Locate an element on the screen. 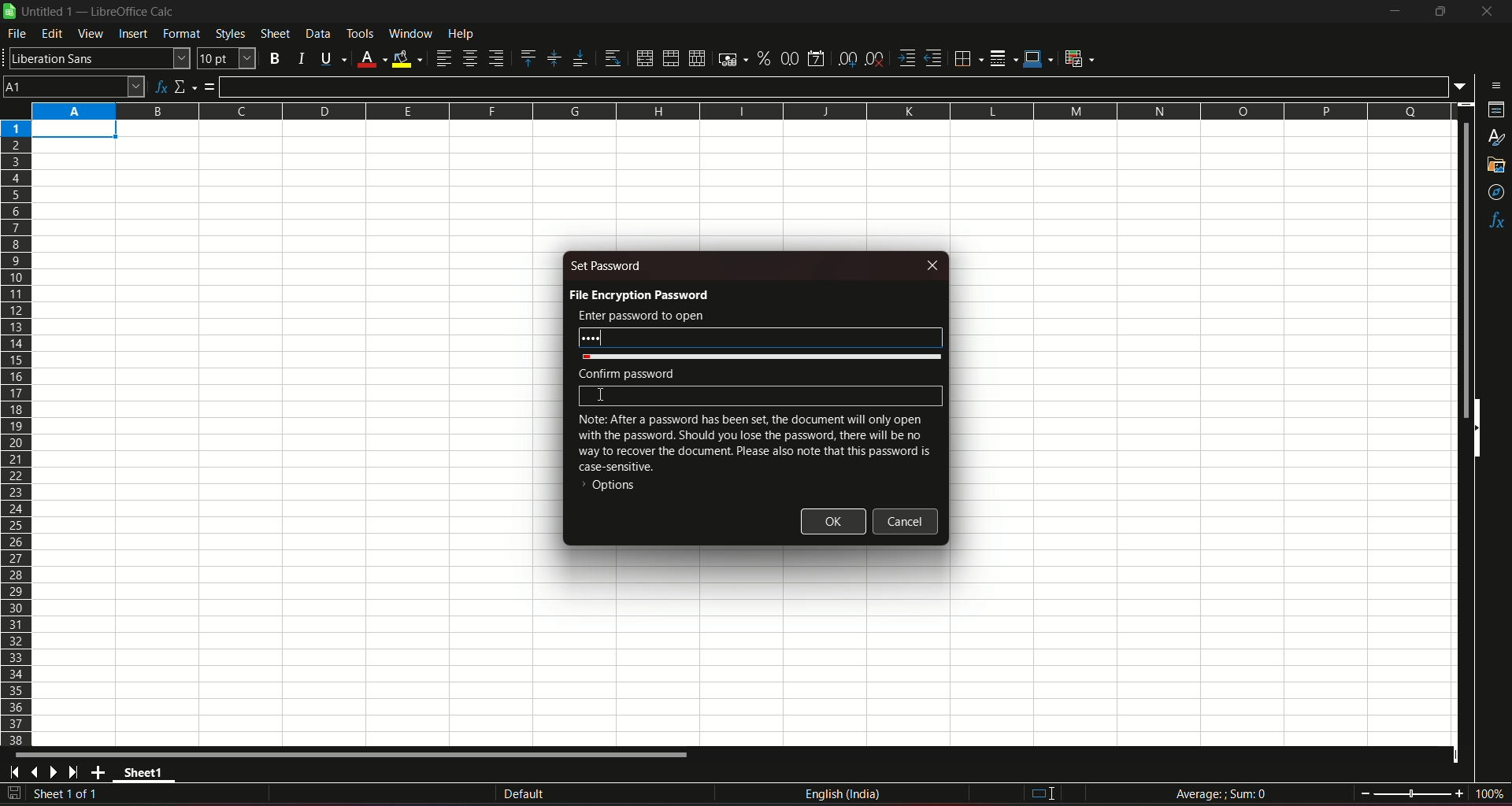 This screenshot has width=1512, height=806. hide is located at coordinates (1480, 431).